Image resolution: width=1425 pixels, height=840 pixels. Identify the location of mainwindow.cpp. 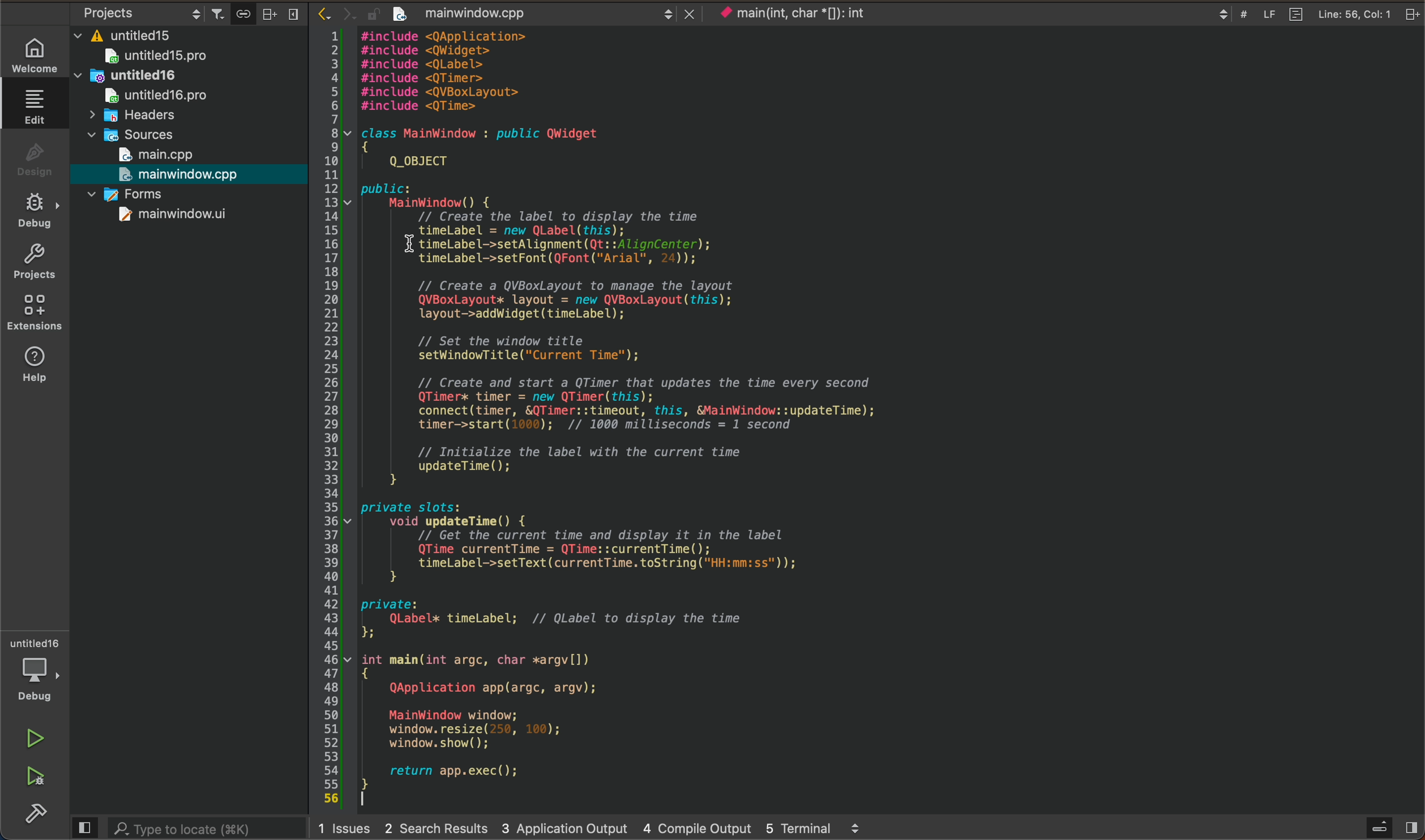
(195, 176).